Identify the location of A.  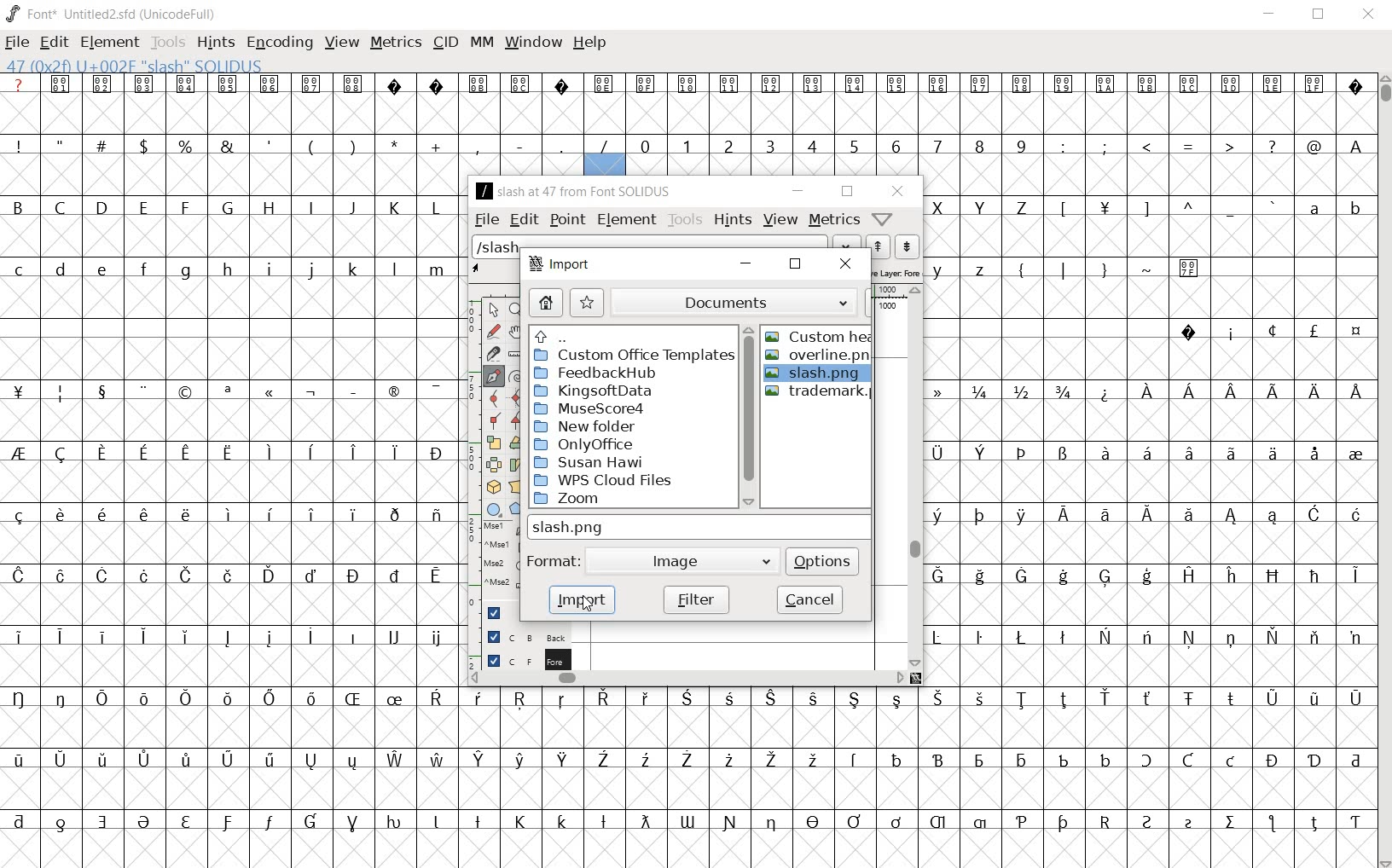
(1352, 145).